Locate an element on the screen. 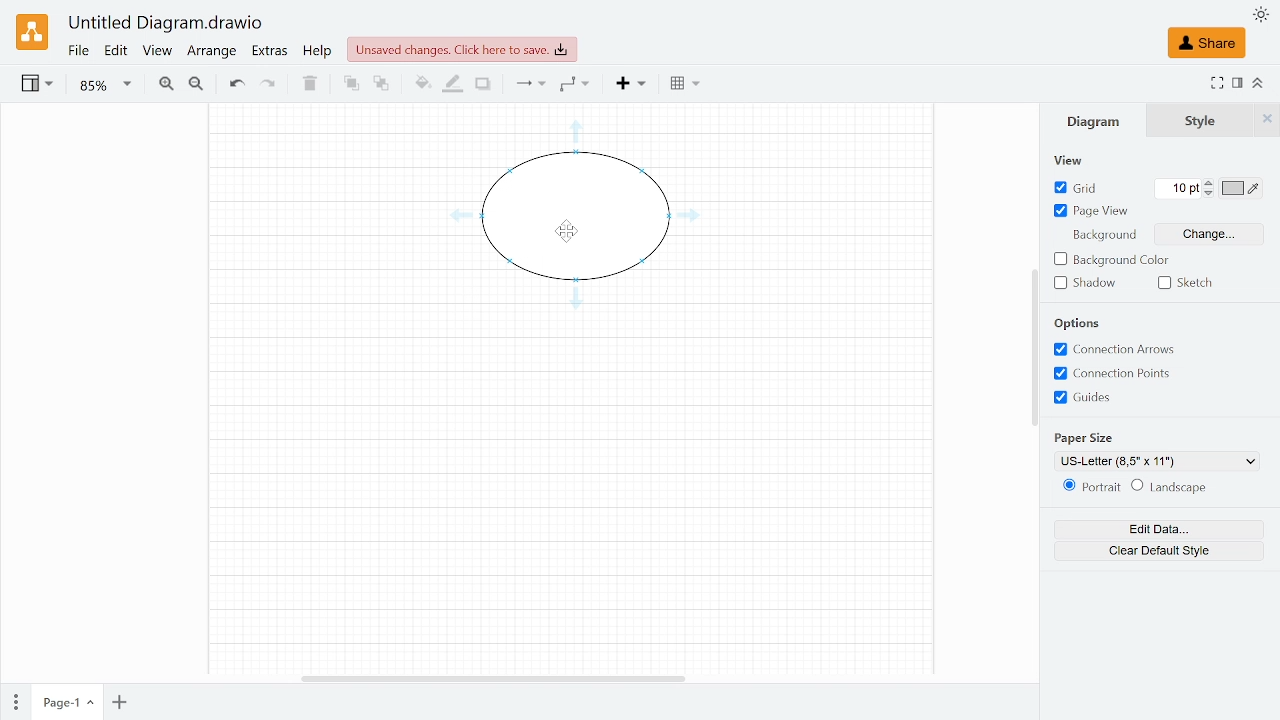  Current shape (circle) is located at coordinates (573, 215).